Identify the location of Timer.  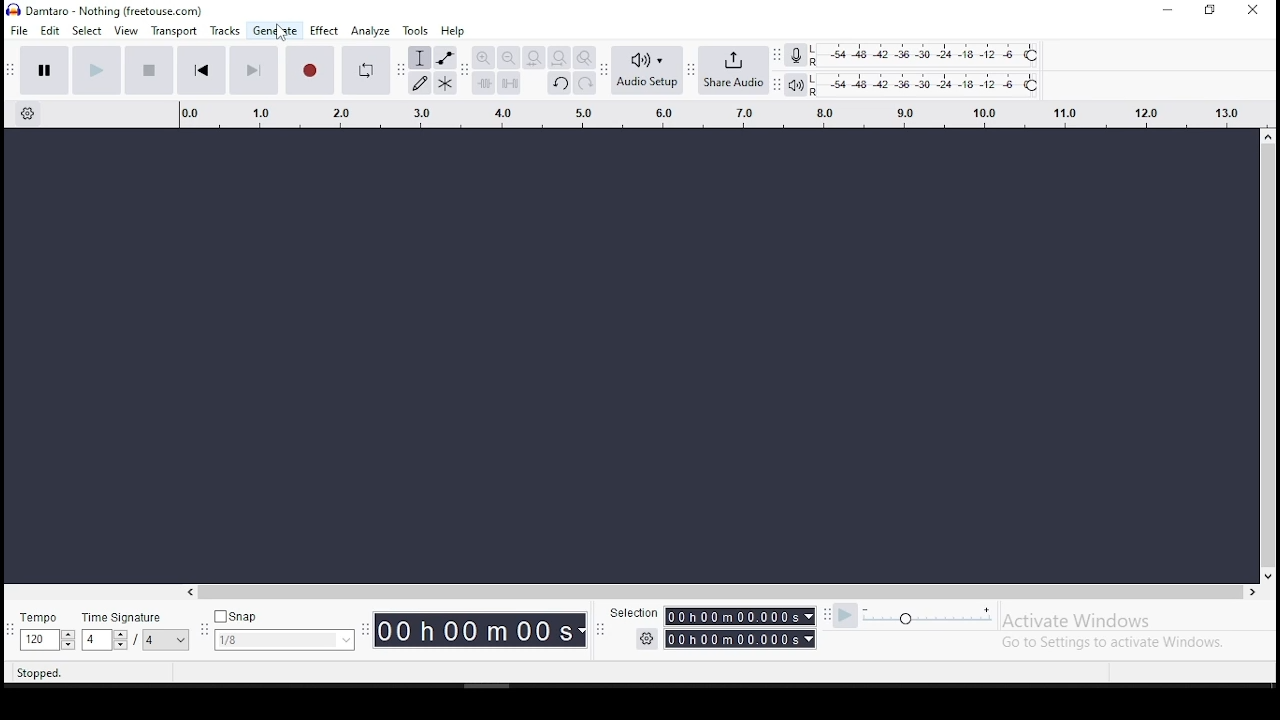
(485, 634).